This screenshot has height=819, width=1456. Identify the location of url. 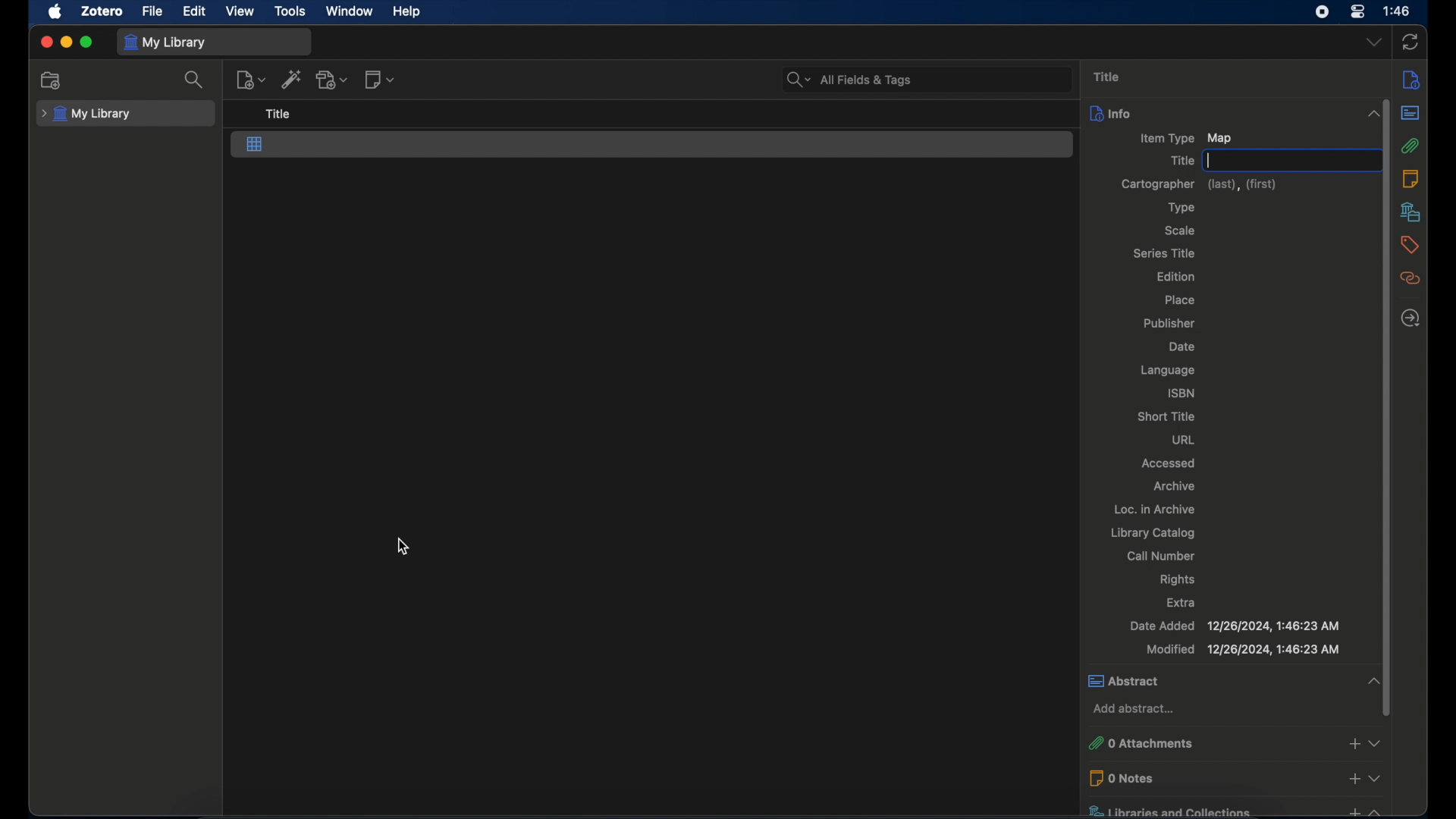
(1184, 438).